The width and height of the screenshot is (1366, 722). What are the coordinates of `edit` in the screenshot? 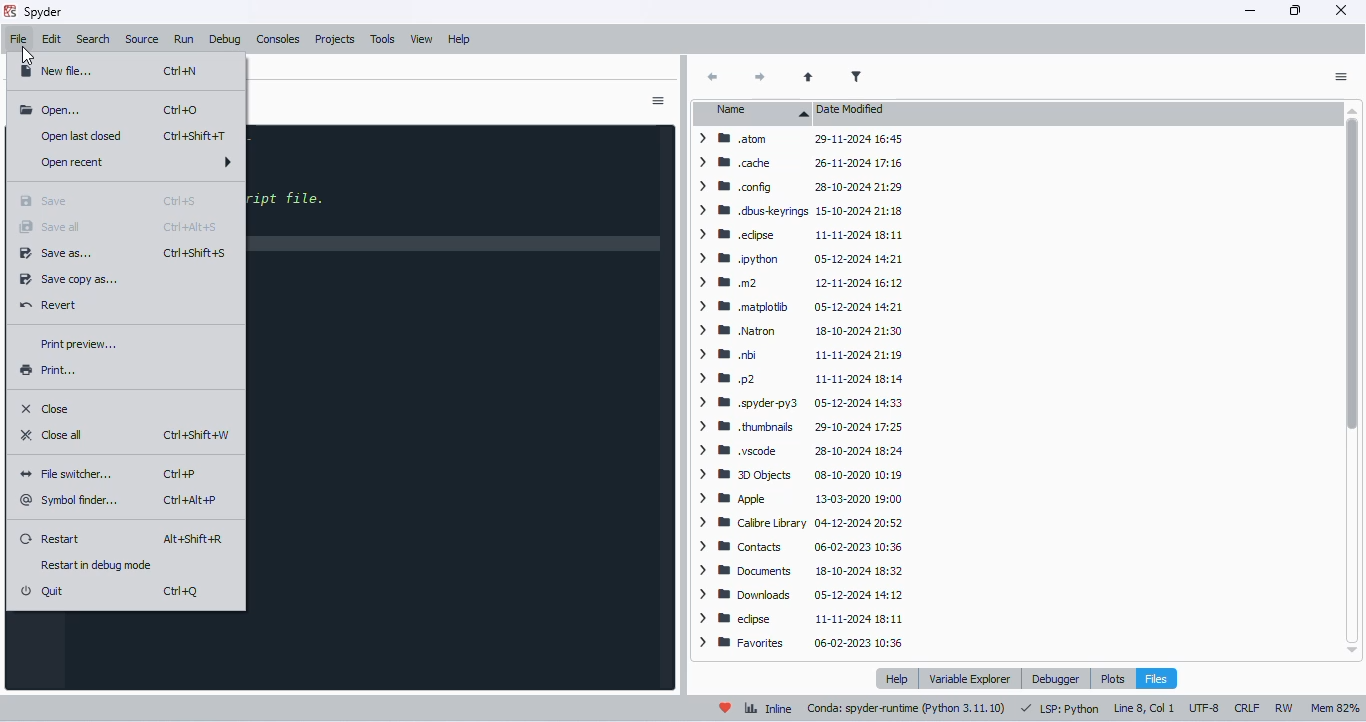 It's located at (52, 39).